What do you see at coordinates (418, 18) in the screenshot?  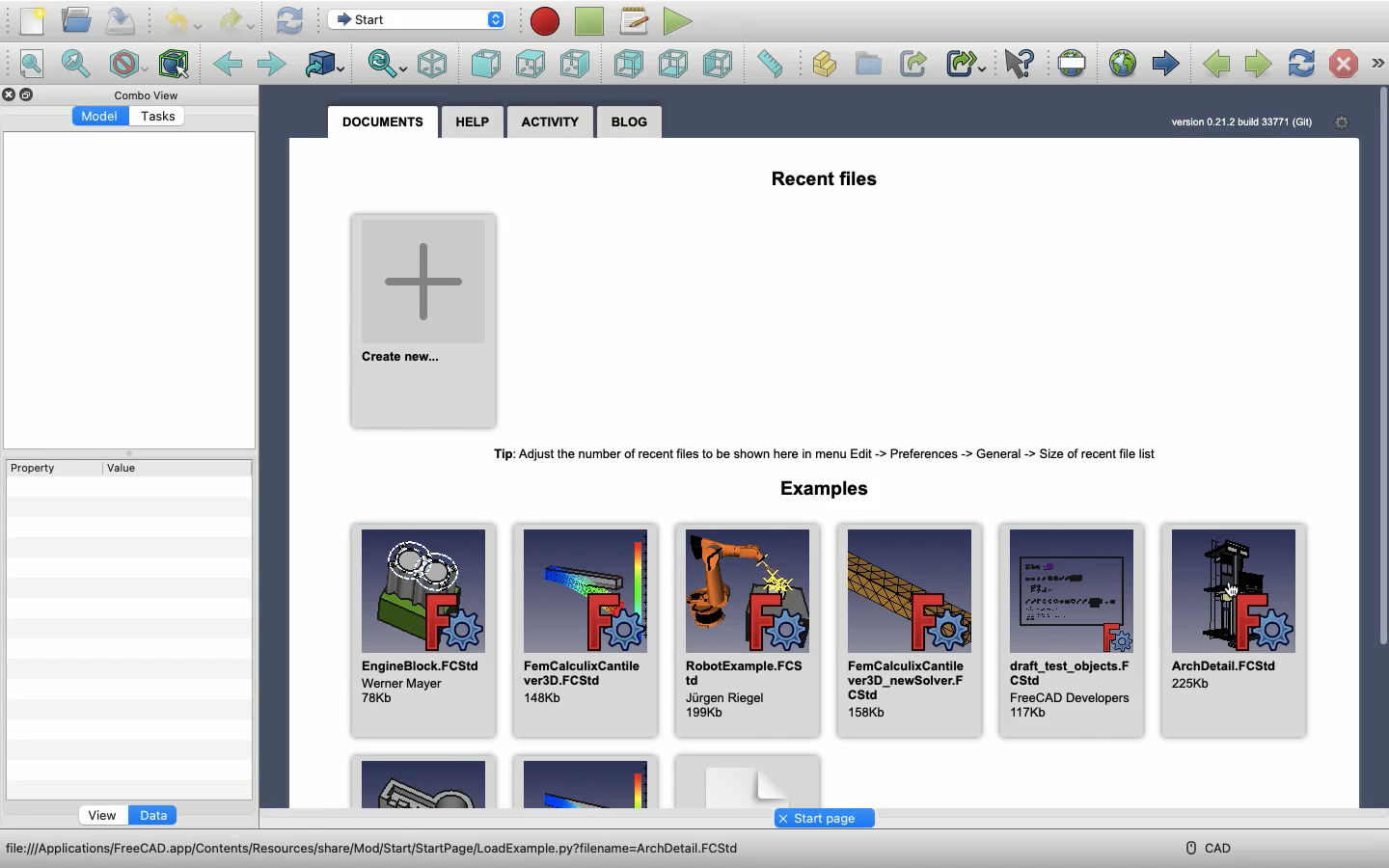 I see `Switch between workbenches` at bounding box center [418, 18].